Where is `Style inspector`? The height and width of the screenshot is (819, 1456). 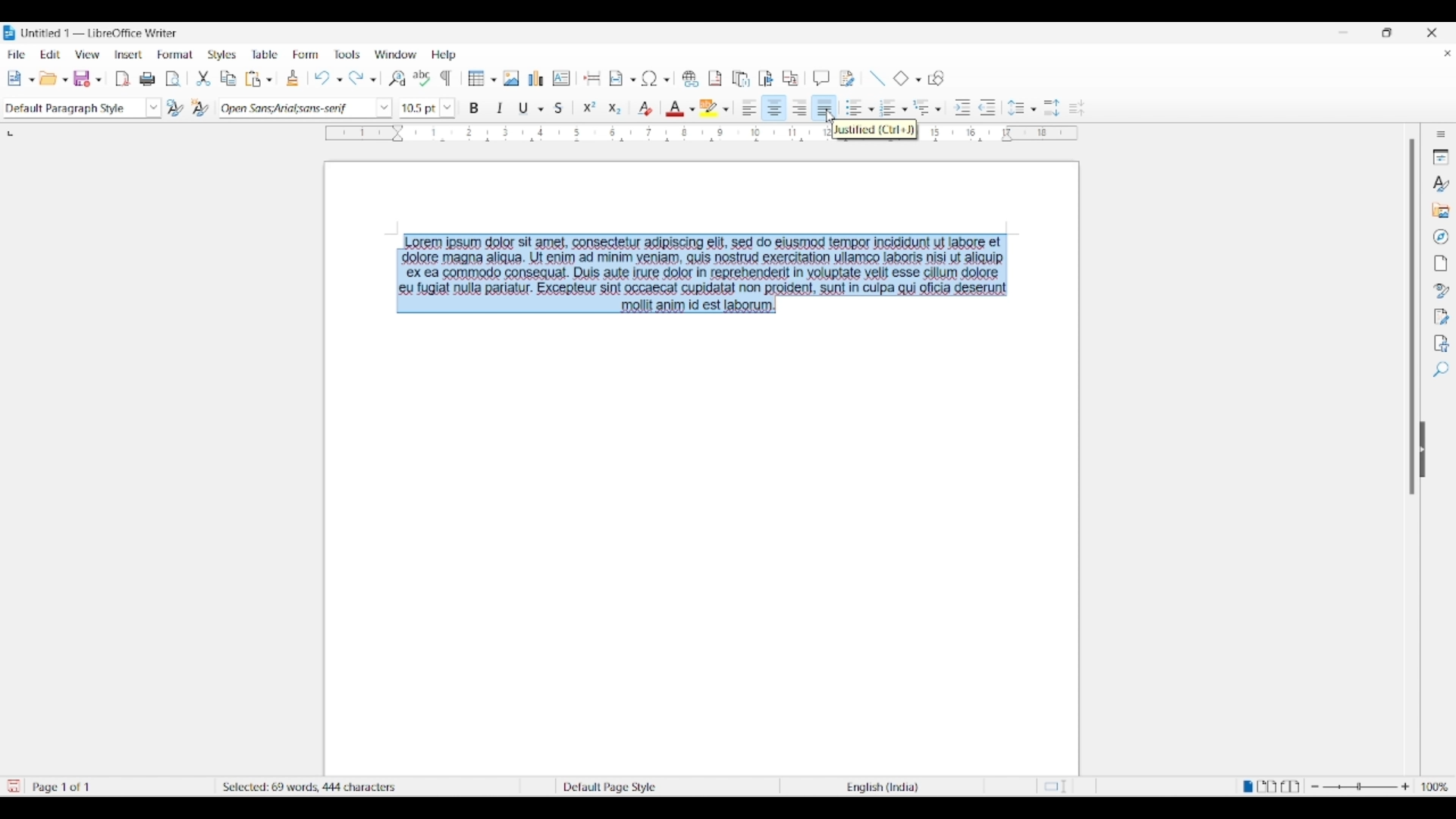
Style inspector is located at coordinates (1441, 291).